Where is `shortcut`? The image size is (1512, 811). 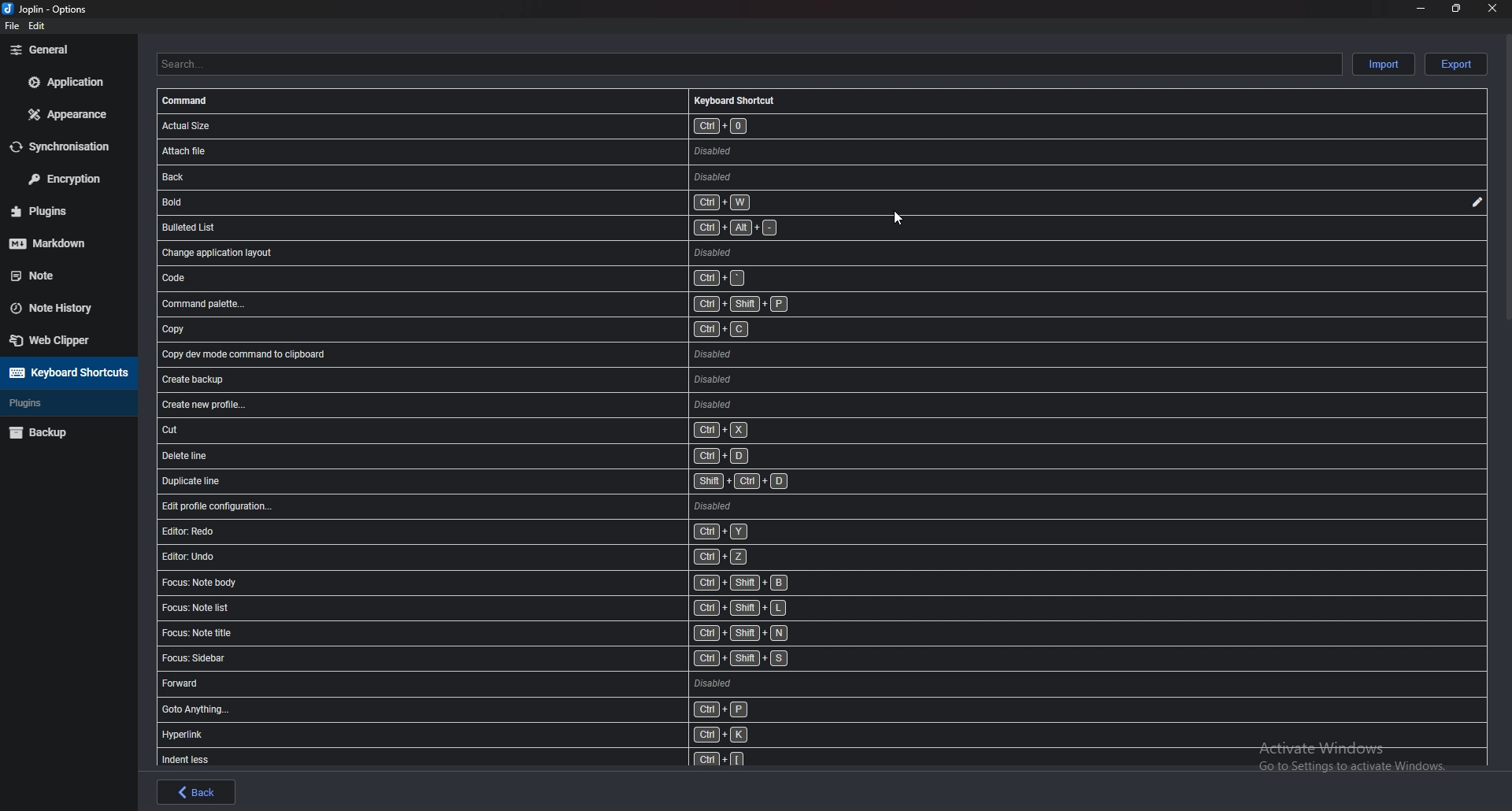 shortcut is located at coordinates (513, 737).